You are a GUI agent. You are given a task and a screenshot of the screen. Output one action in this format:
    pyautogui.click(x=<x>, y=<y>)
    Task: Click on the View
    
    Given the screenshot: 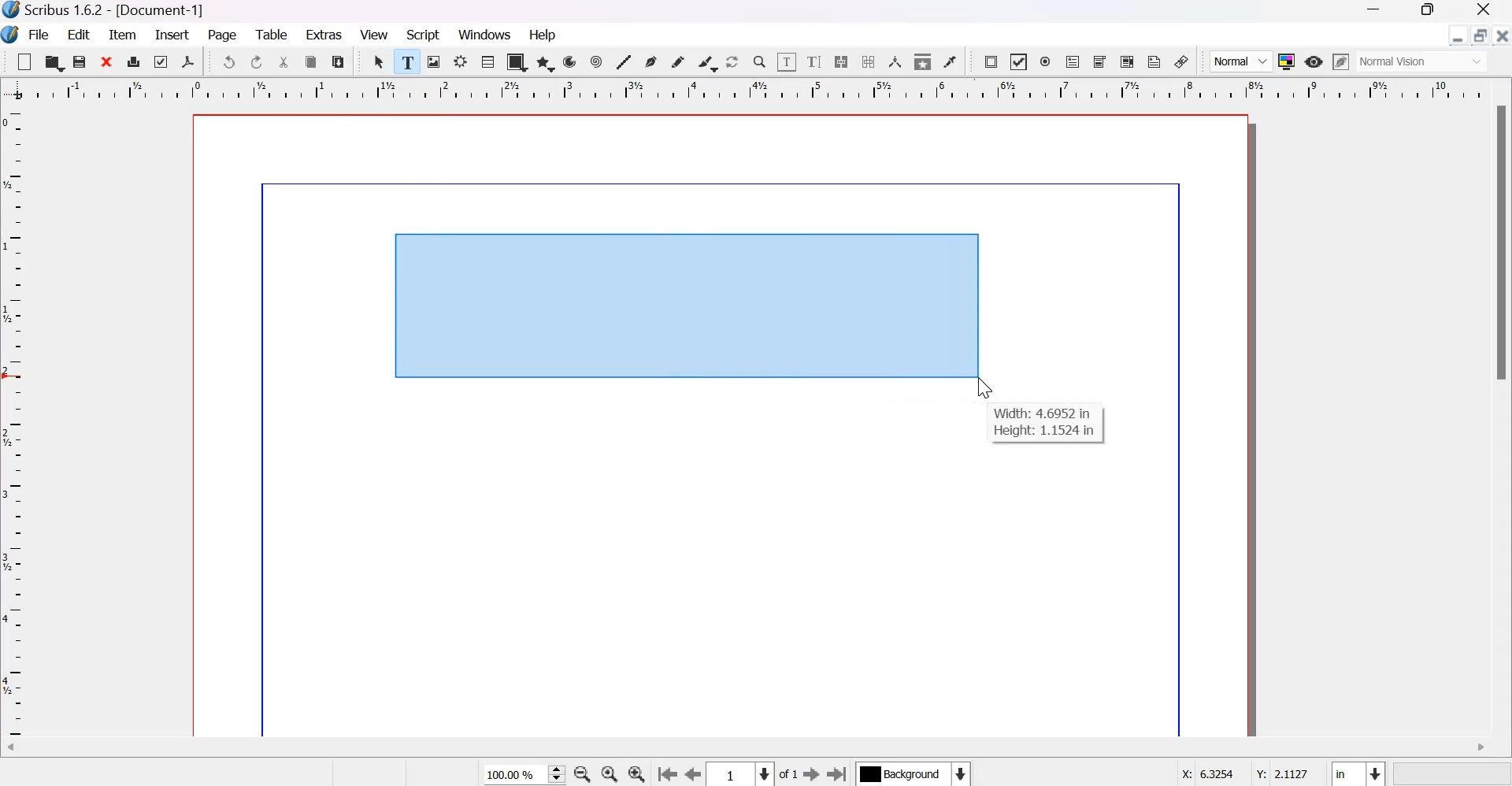 What is the action you would take?
    pyautogui.click(x=374, y=35)
    